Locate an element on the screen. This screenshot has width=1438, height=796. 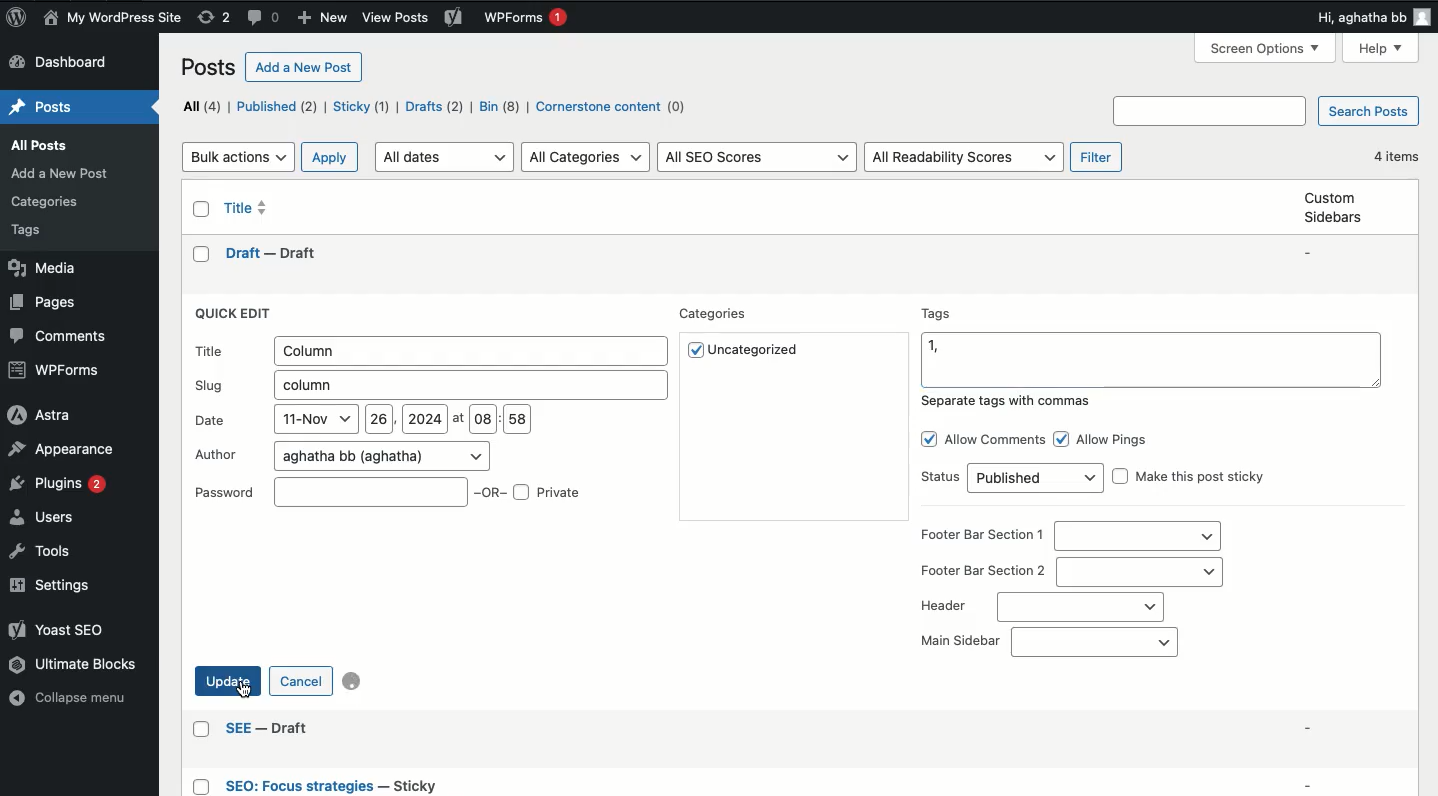
Title is located at coordinates (430, 350).